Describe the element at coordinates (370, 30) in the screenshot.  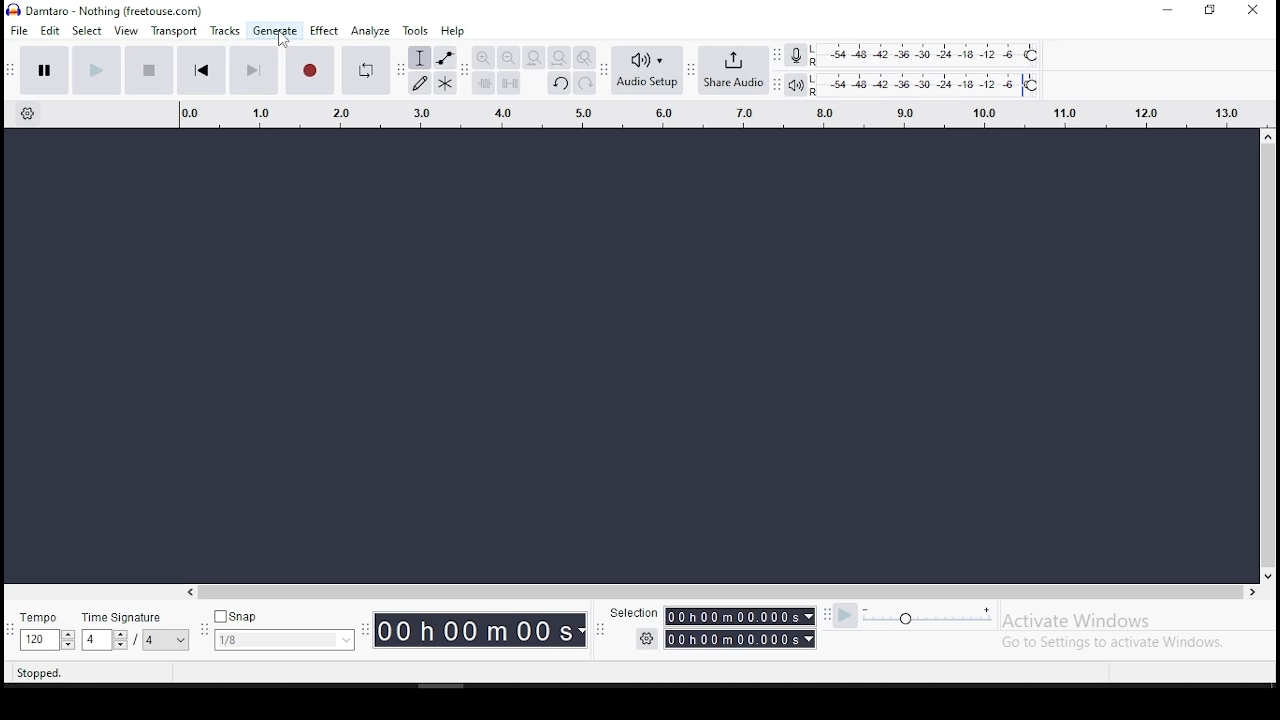
I see `analyze` at that location.